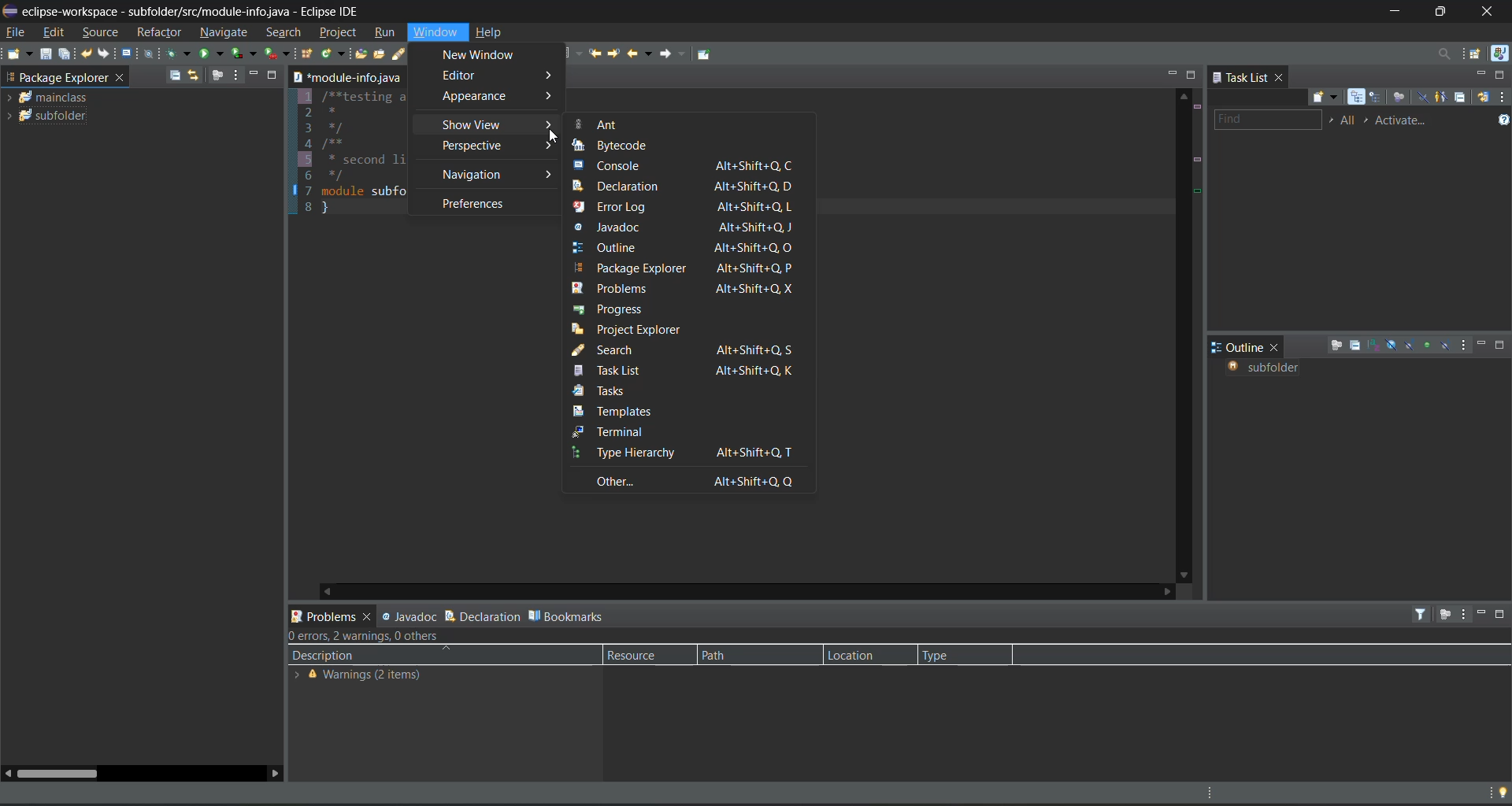 This screenshot has height=806, width=1512. I want to click on information, so click(372, 676).